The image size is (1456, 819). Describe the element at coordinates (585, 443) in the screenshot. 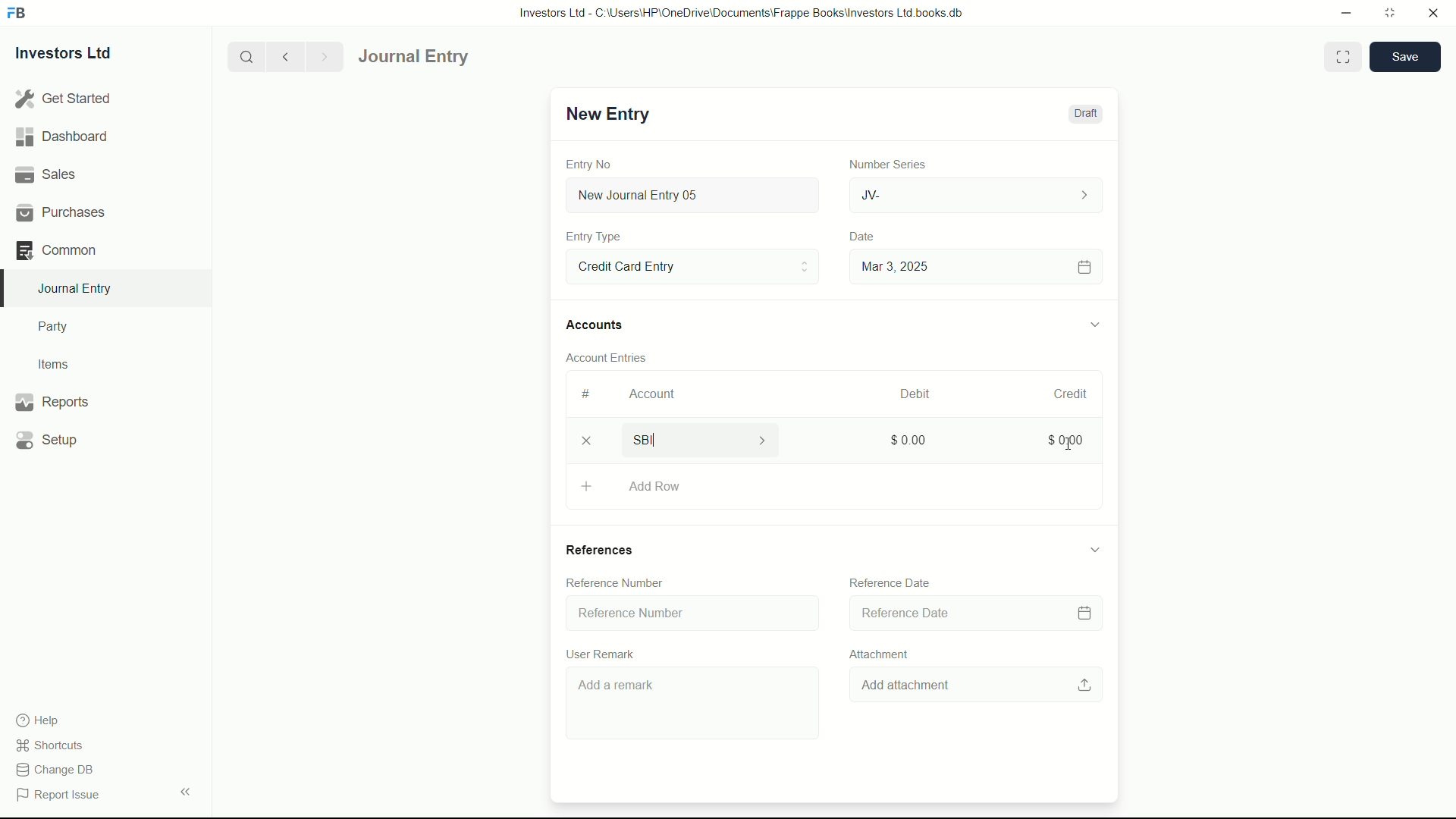

I see `delete` at that location.